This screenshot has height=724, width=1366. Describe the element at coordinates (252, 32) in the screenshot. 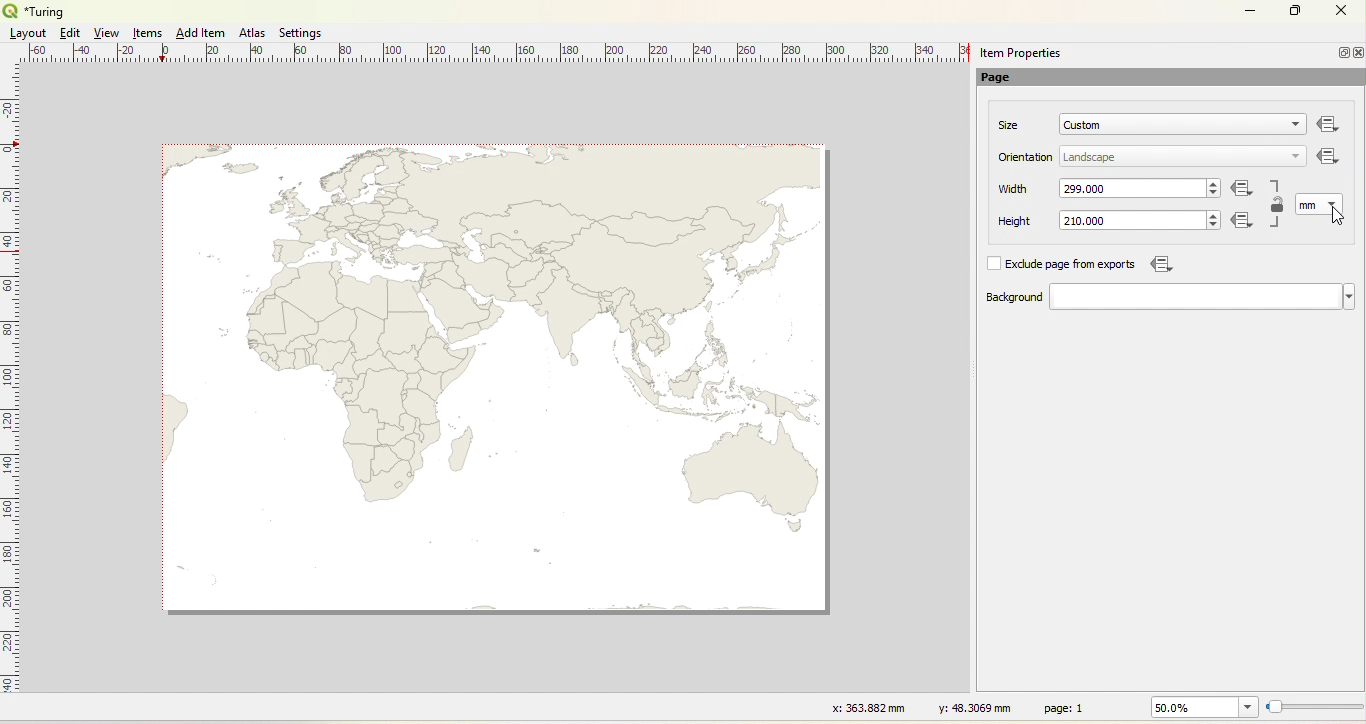

I see `Atlas` at that location.